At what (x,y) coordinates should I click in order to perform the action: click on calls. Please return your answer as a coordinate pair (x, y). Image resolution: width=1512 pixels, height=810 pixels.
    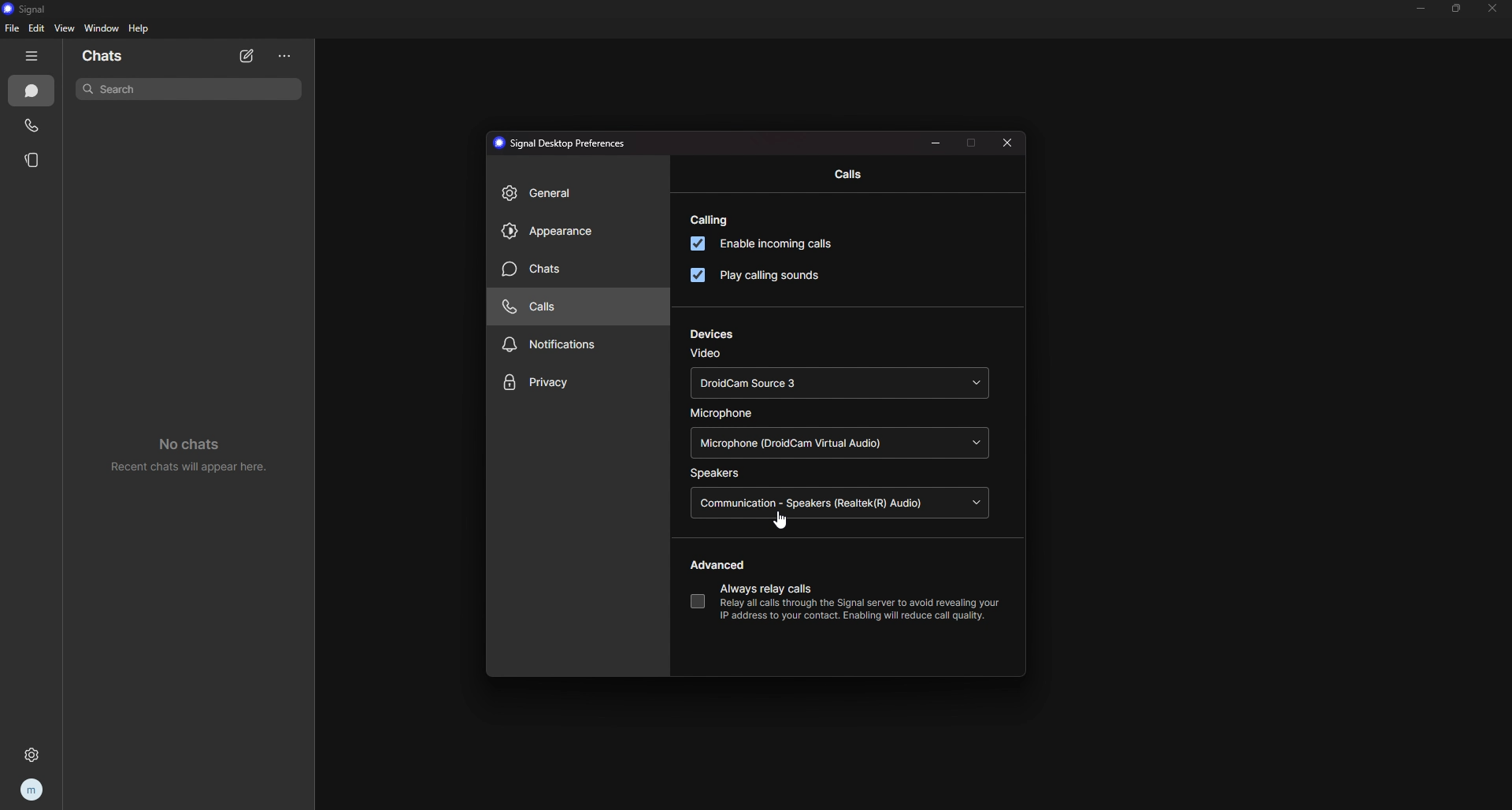
    Looking at the image, I should click on (570, 307).